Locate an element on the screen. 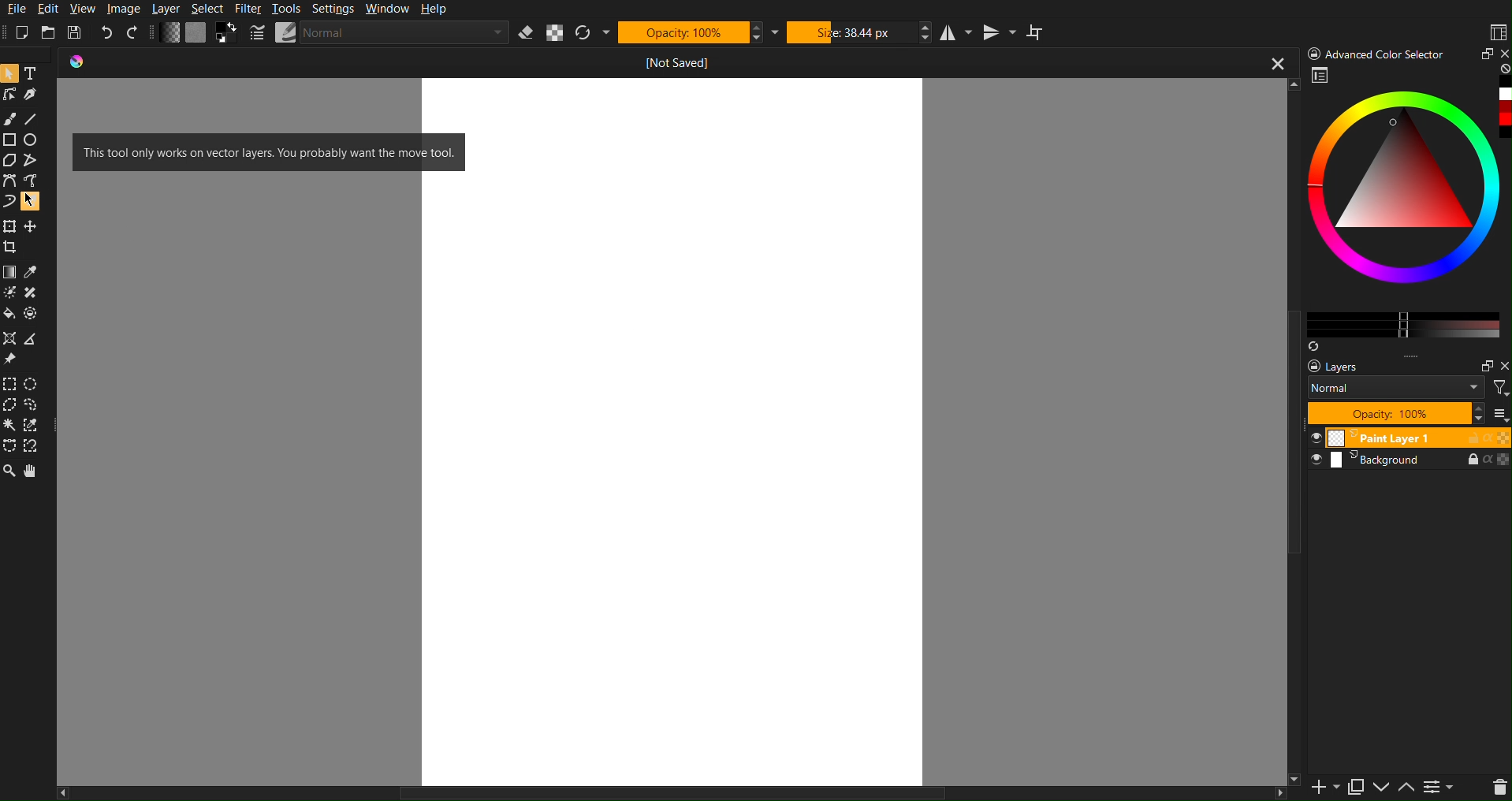 This screenshot has width=1512, height=801. Filter is located at coordinates (253, 8).